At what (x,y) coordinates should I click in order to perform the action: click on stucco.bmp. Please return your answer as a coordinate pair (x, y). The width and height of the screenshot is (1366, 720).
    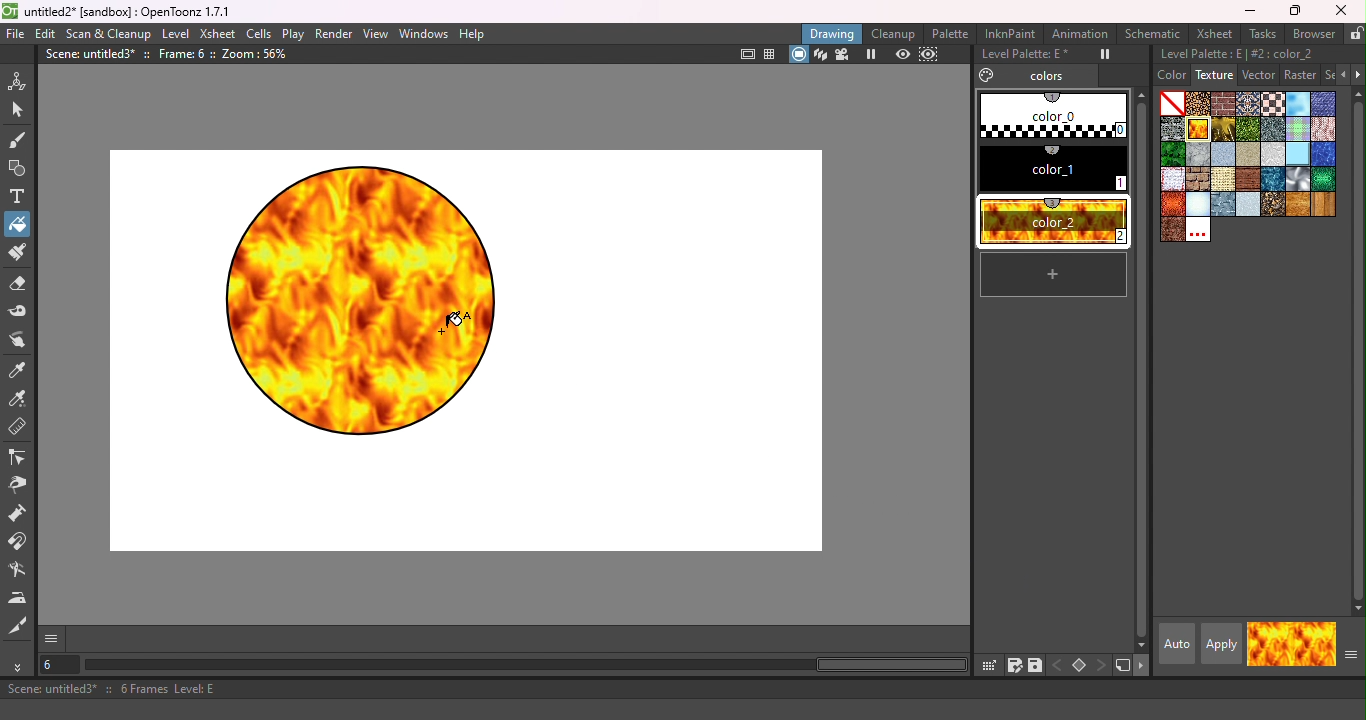
    Looking at the image, I should click on (1249, 205).